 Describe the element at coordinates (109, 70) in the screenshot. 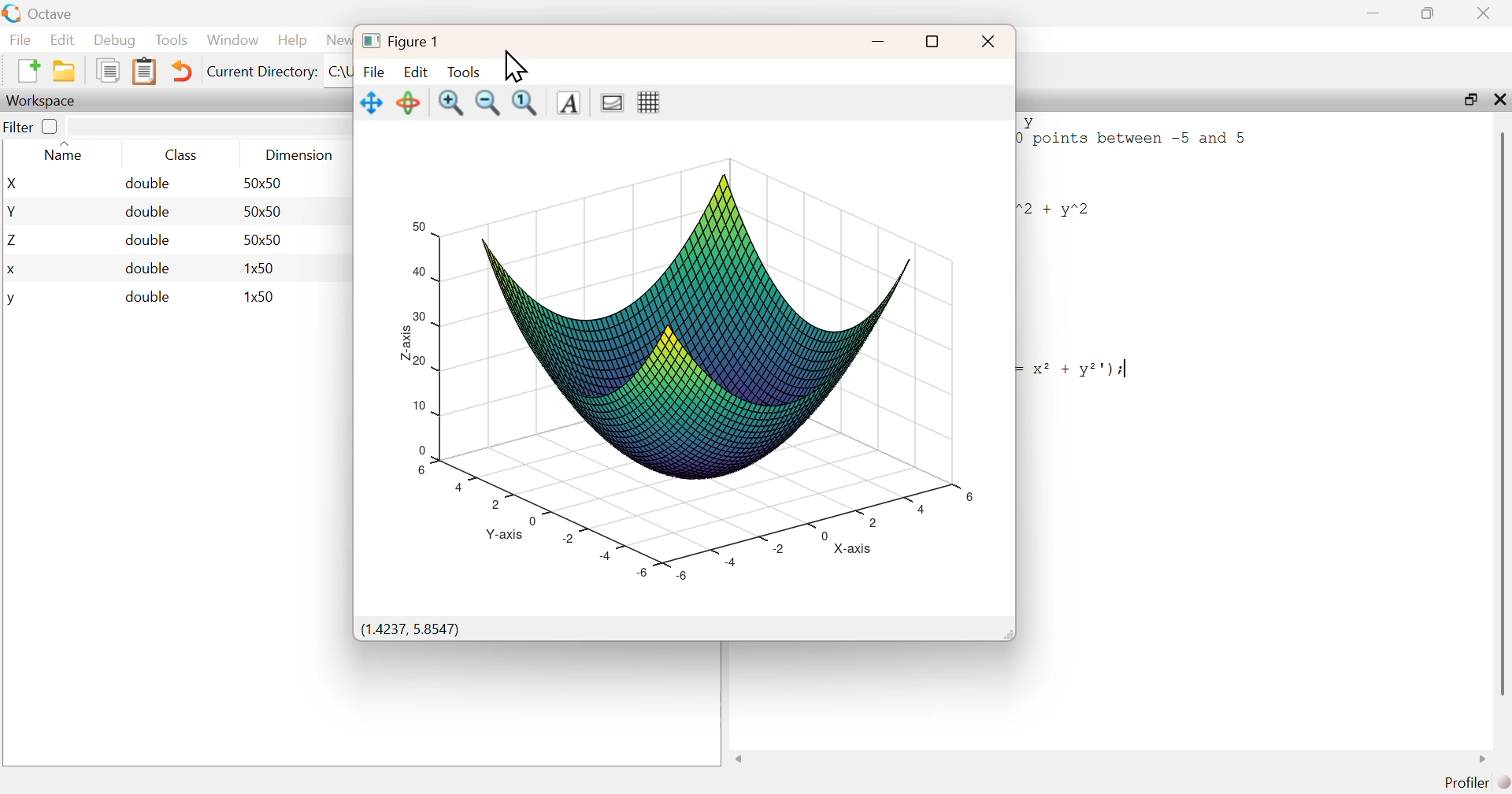

I see `Duplicate` at that location.